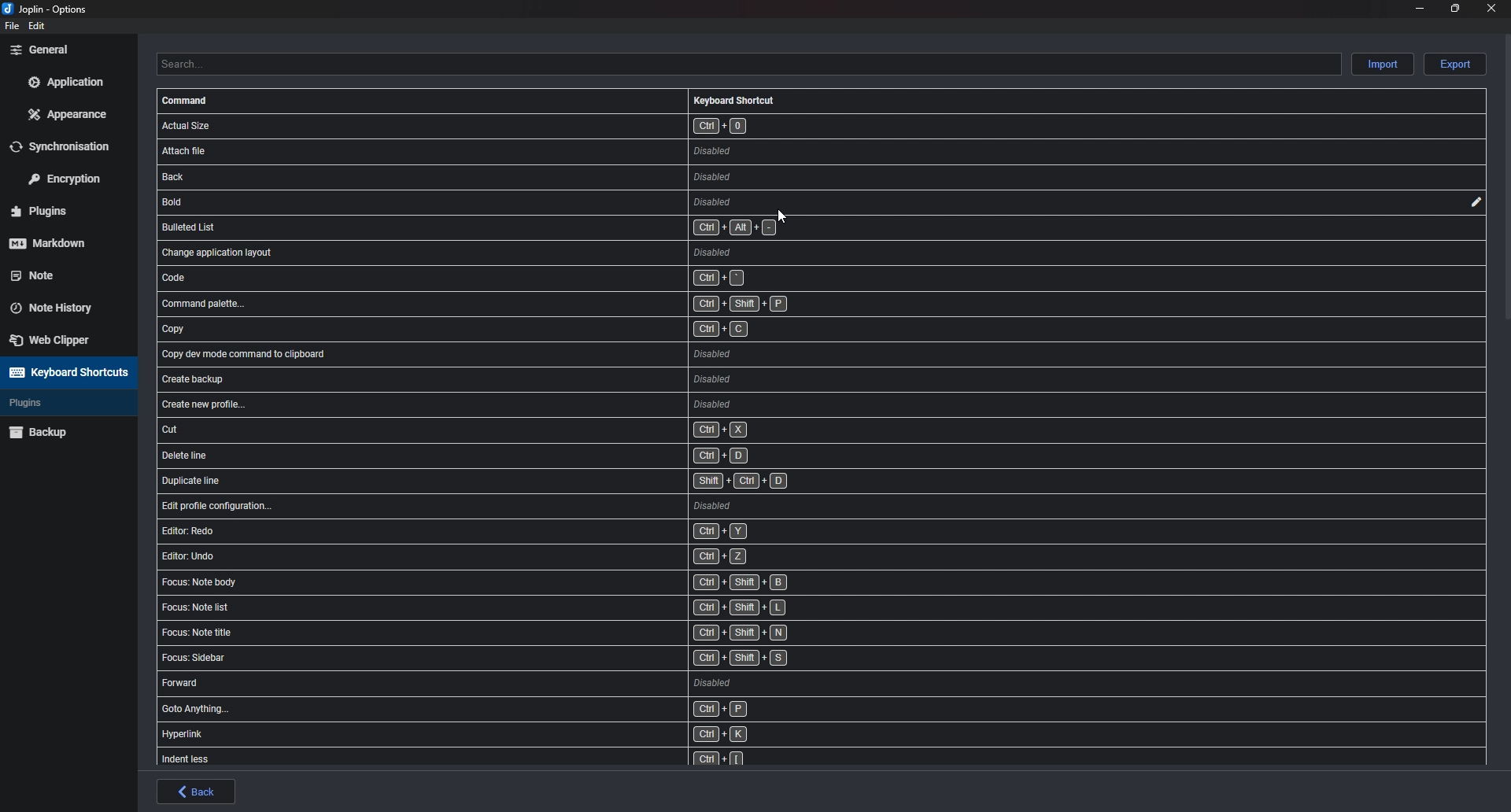 This screenshot has height=812, width=1511. I want to click on Synchronization, so click(70, 146).